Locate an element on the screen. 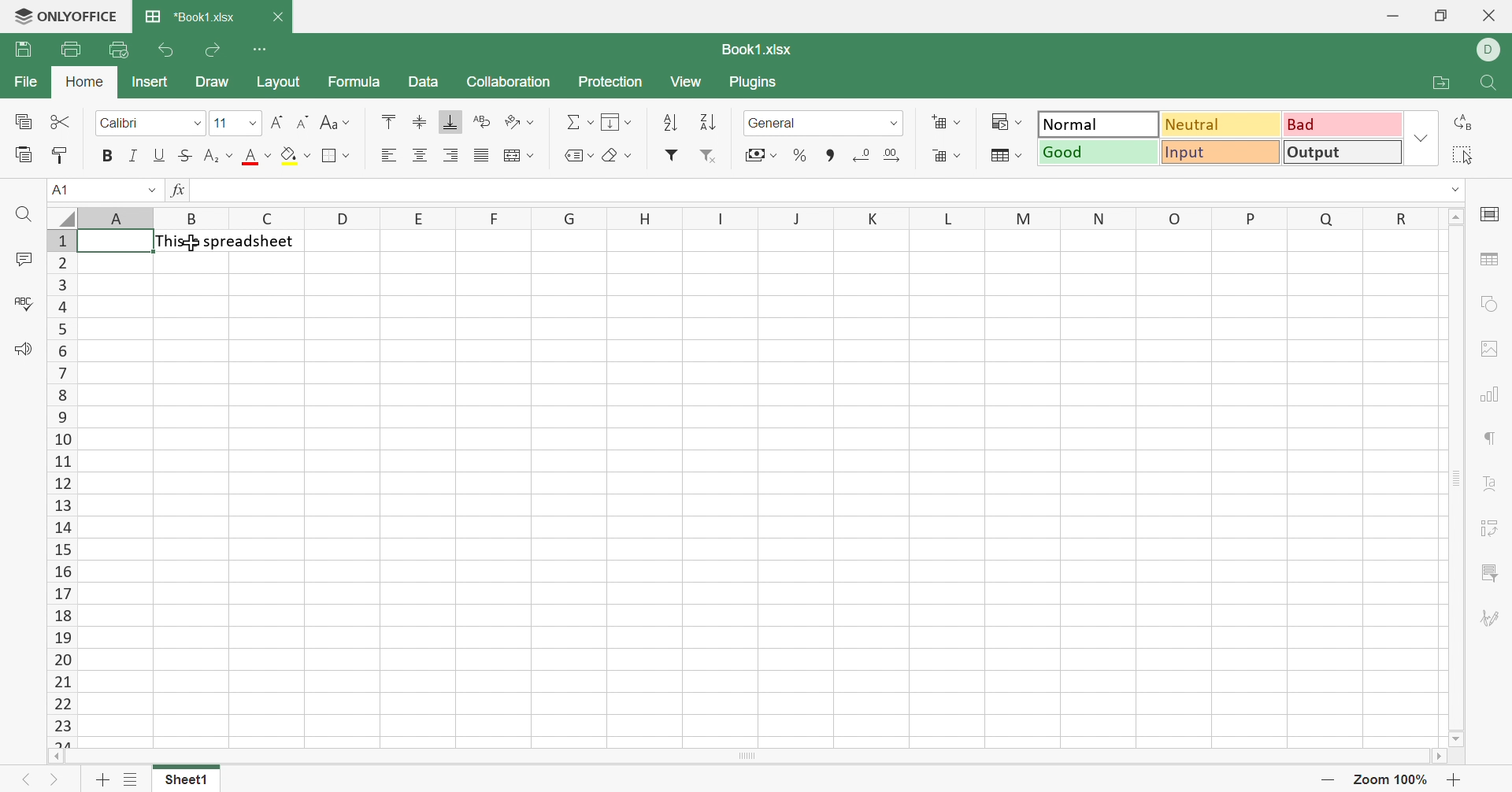  Zoom In is located at coordinates (1454, 779).